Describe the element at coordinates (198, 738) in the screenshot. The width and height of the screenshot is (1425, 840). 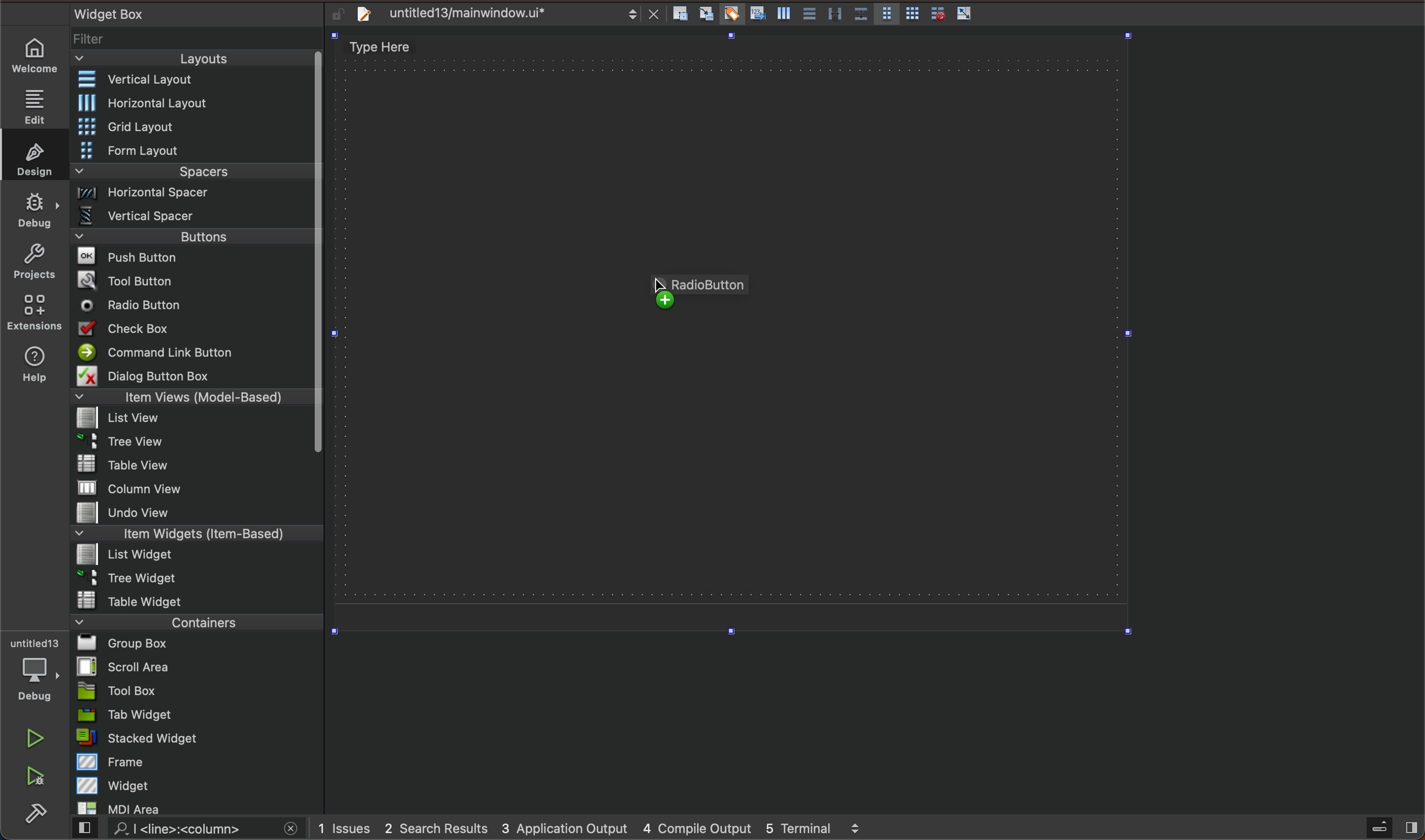
I see `stacked widget` at that location.